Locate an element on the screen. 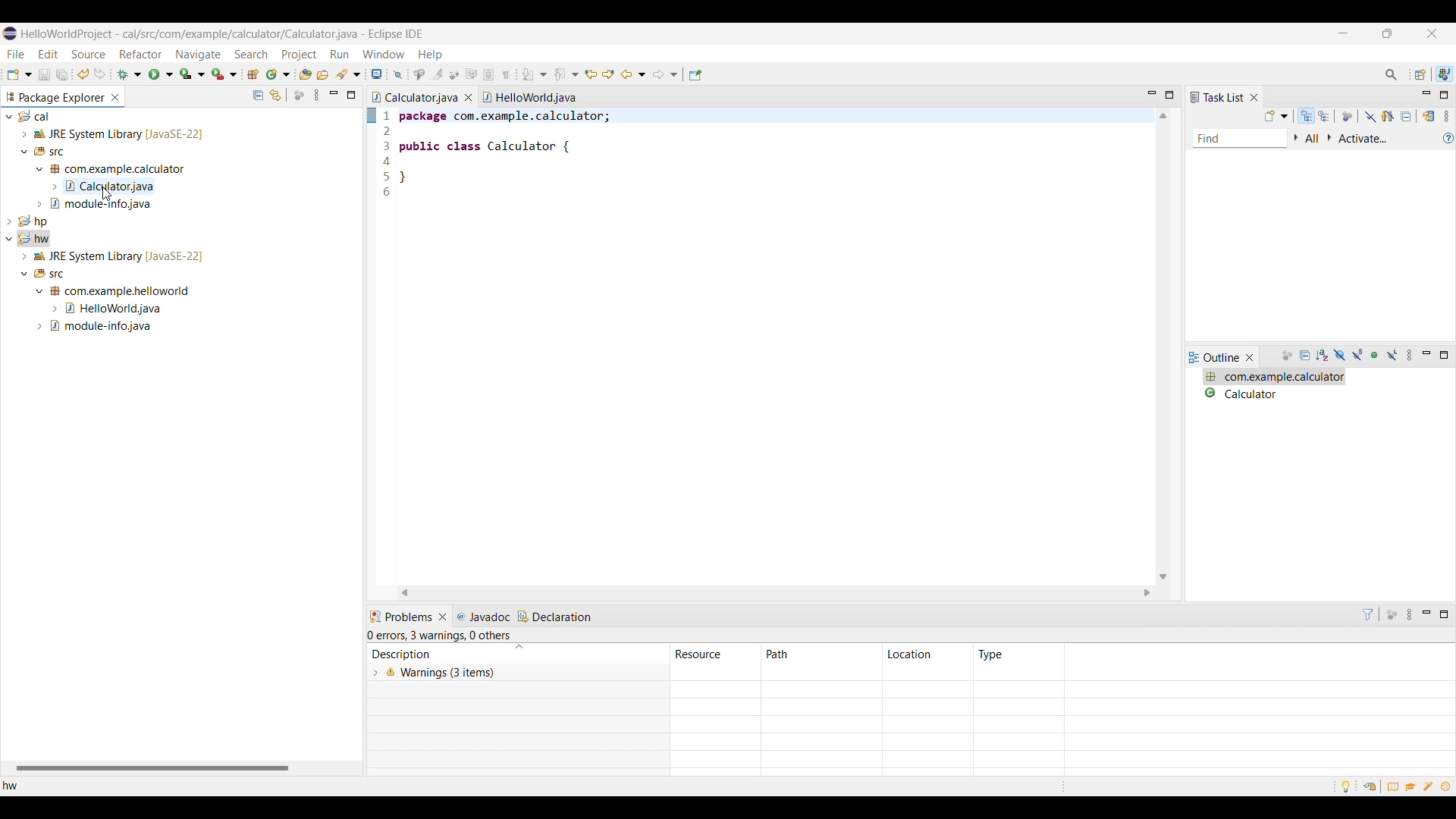 Image resolution: width=1456 pixels, height=819 pixels. HelloWorldProject - cal/src/com/example/calculator/Calculator.java - Eclipse IDE is located at coordinates (222, 33).